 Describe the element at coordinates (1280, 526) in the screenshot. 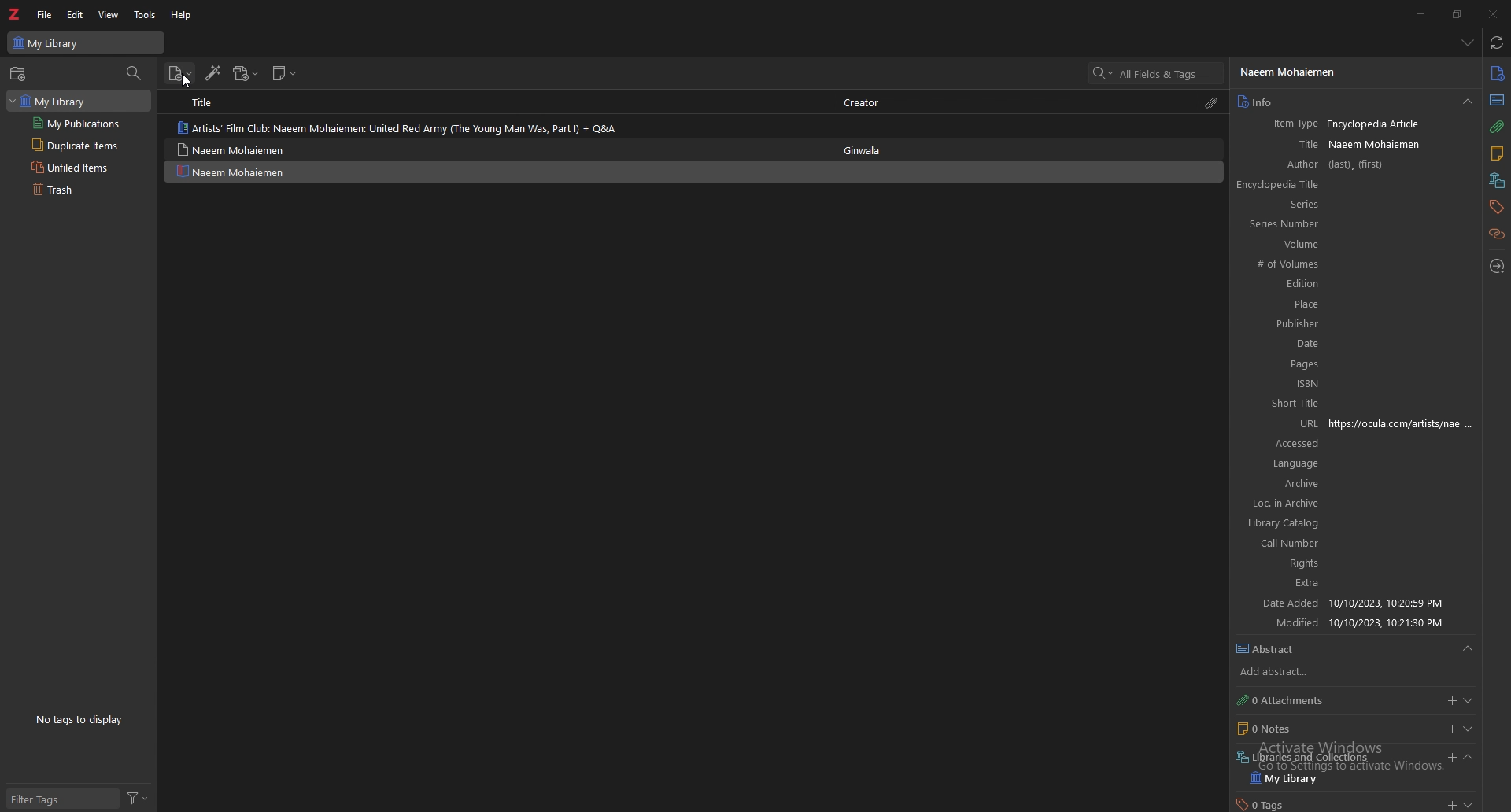

I see `library catalog` at that location.